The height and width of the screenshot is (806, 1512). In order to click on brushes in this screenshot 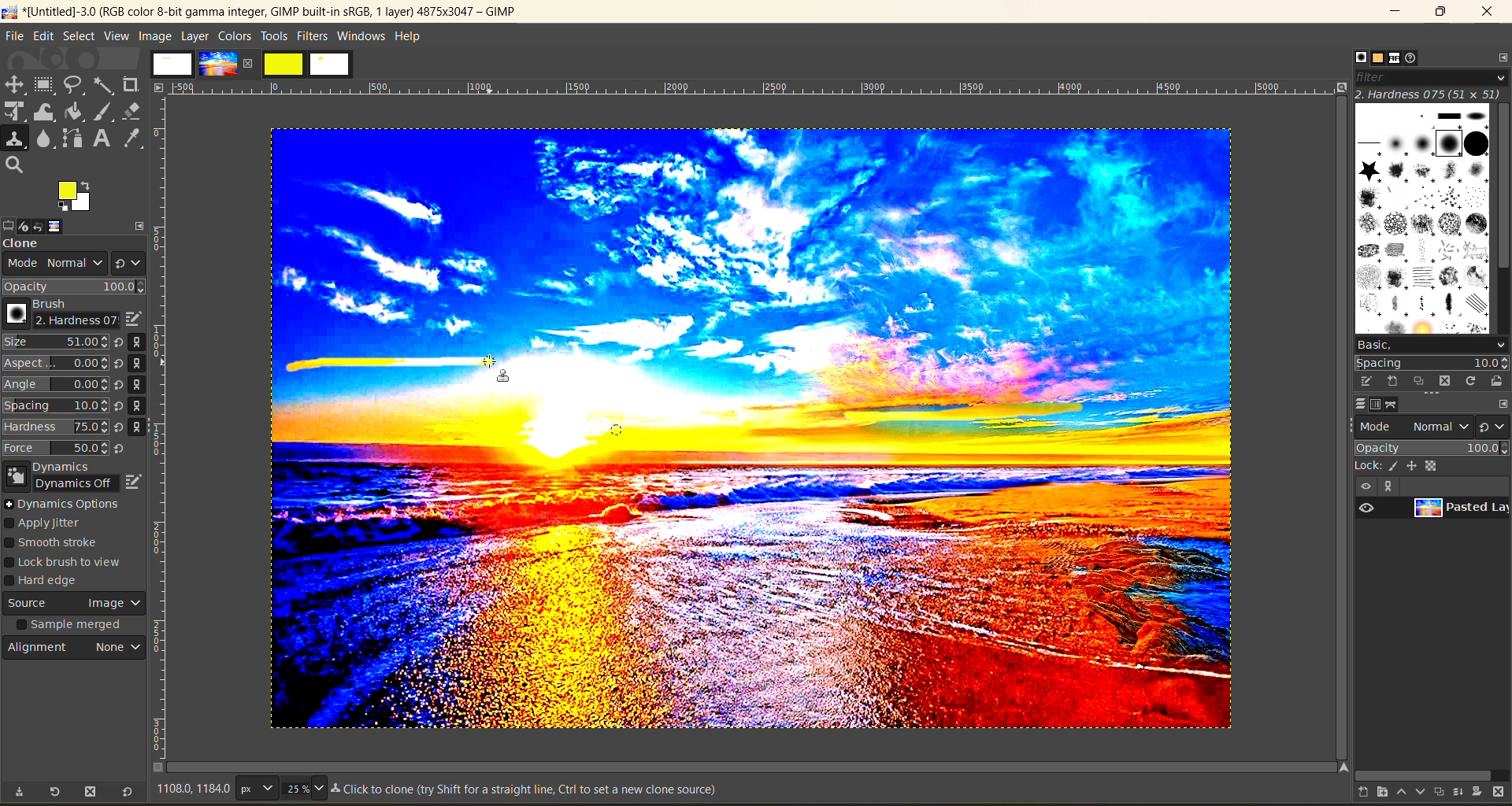, I will do `click(1421, 217)`.